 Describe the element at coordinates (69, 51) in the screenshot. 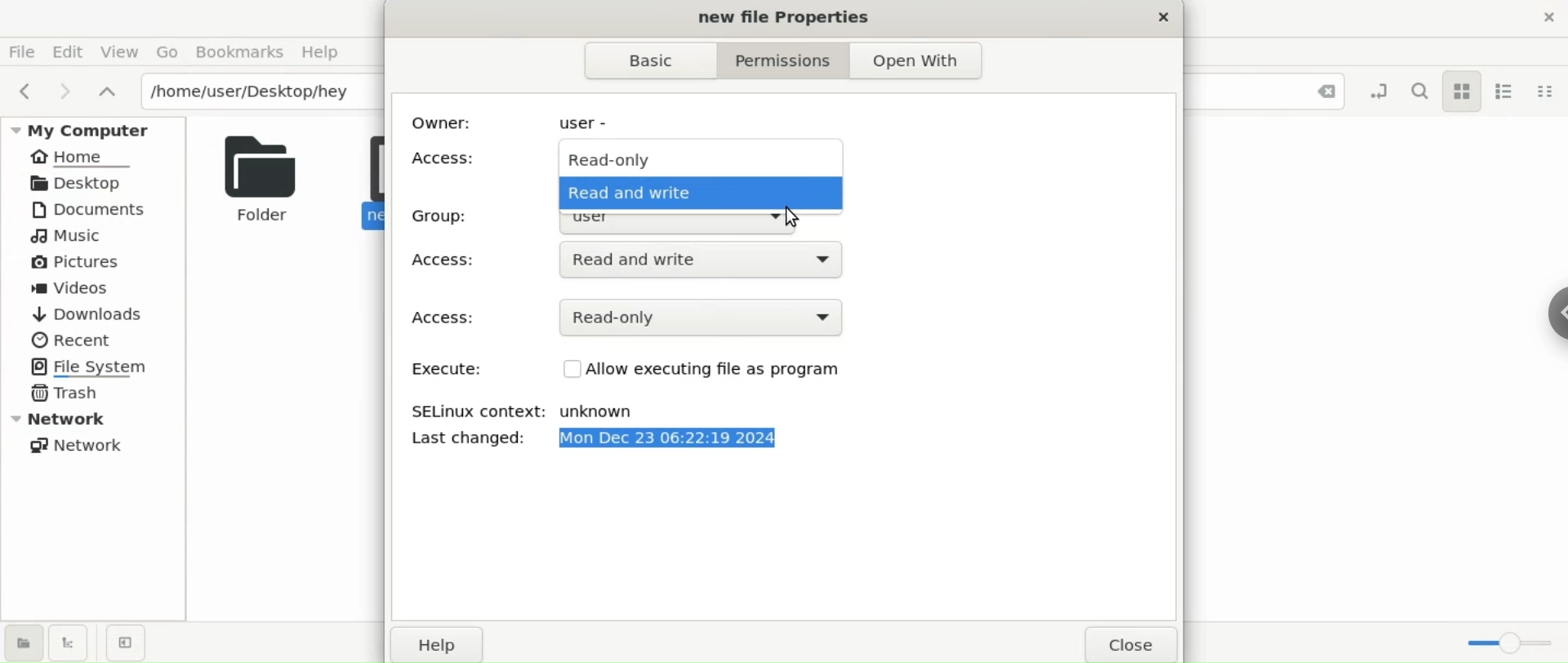

I see `Edit` at that location.